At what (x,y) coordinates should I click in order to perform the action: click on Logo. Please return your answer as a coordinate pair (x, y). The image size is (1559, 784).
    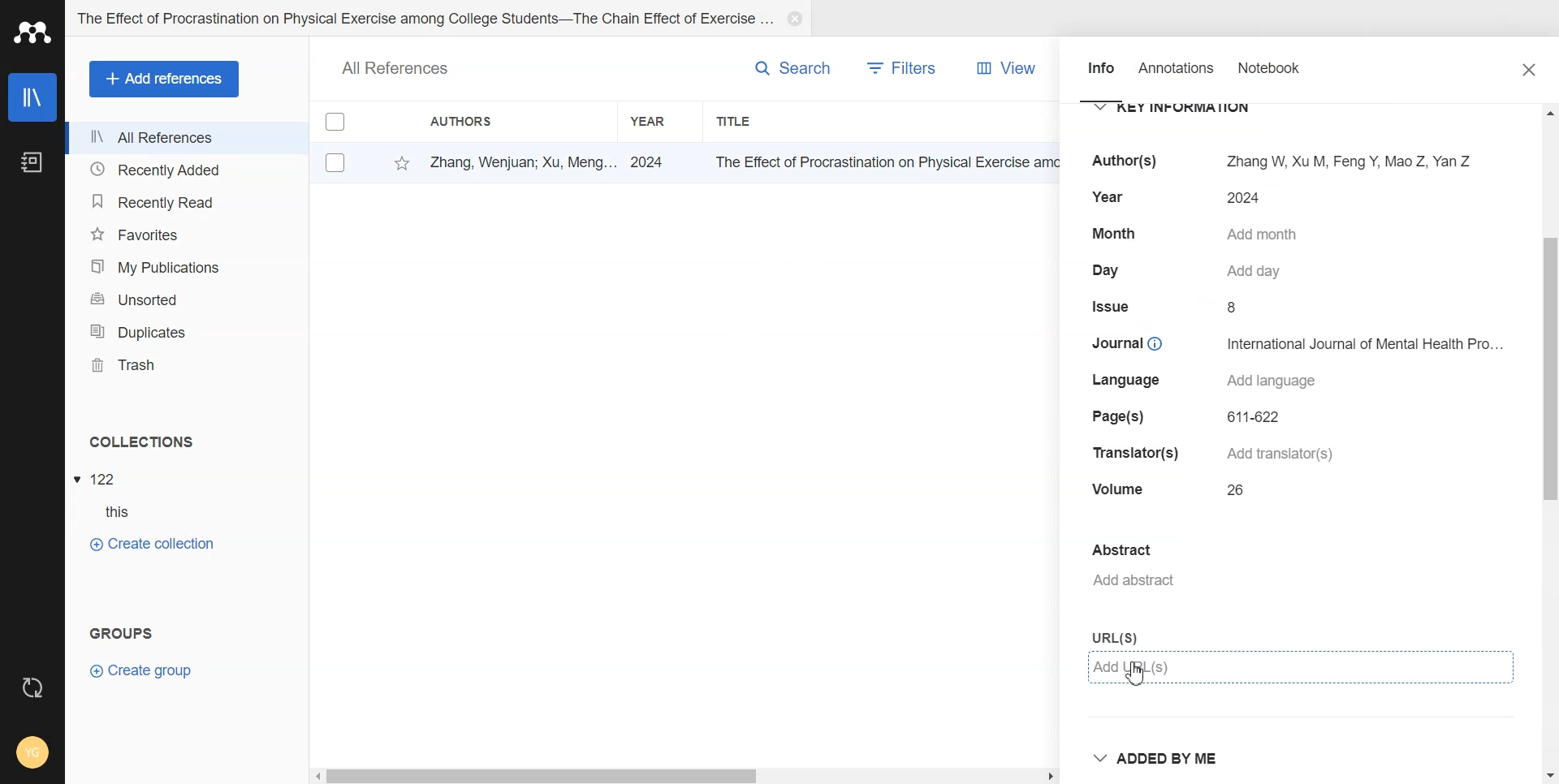
    Looking at the image, I should click on (34, 33).